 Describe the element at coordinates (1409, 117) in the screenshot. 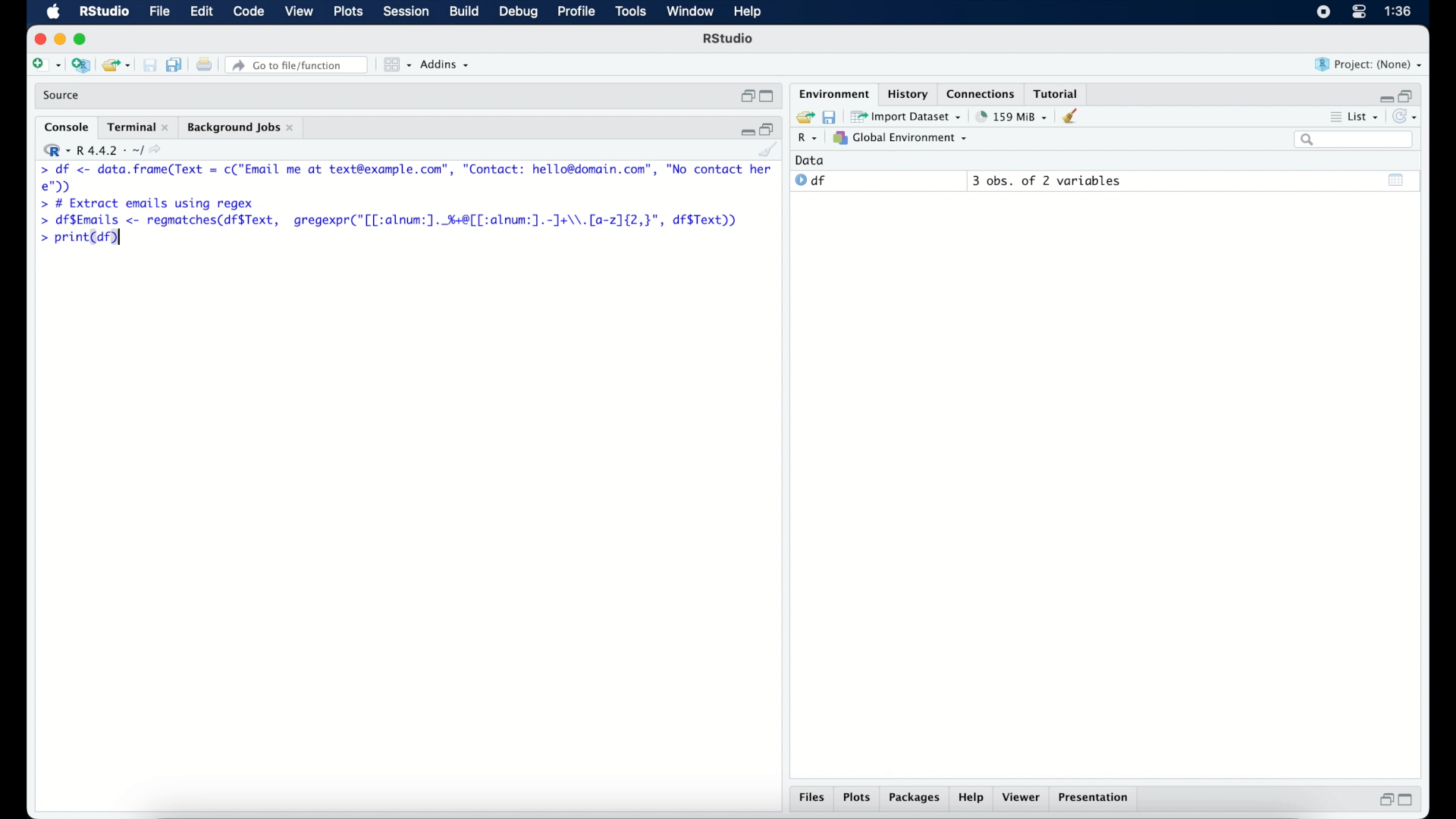

I see `refresh` at that location.